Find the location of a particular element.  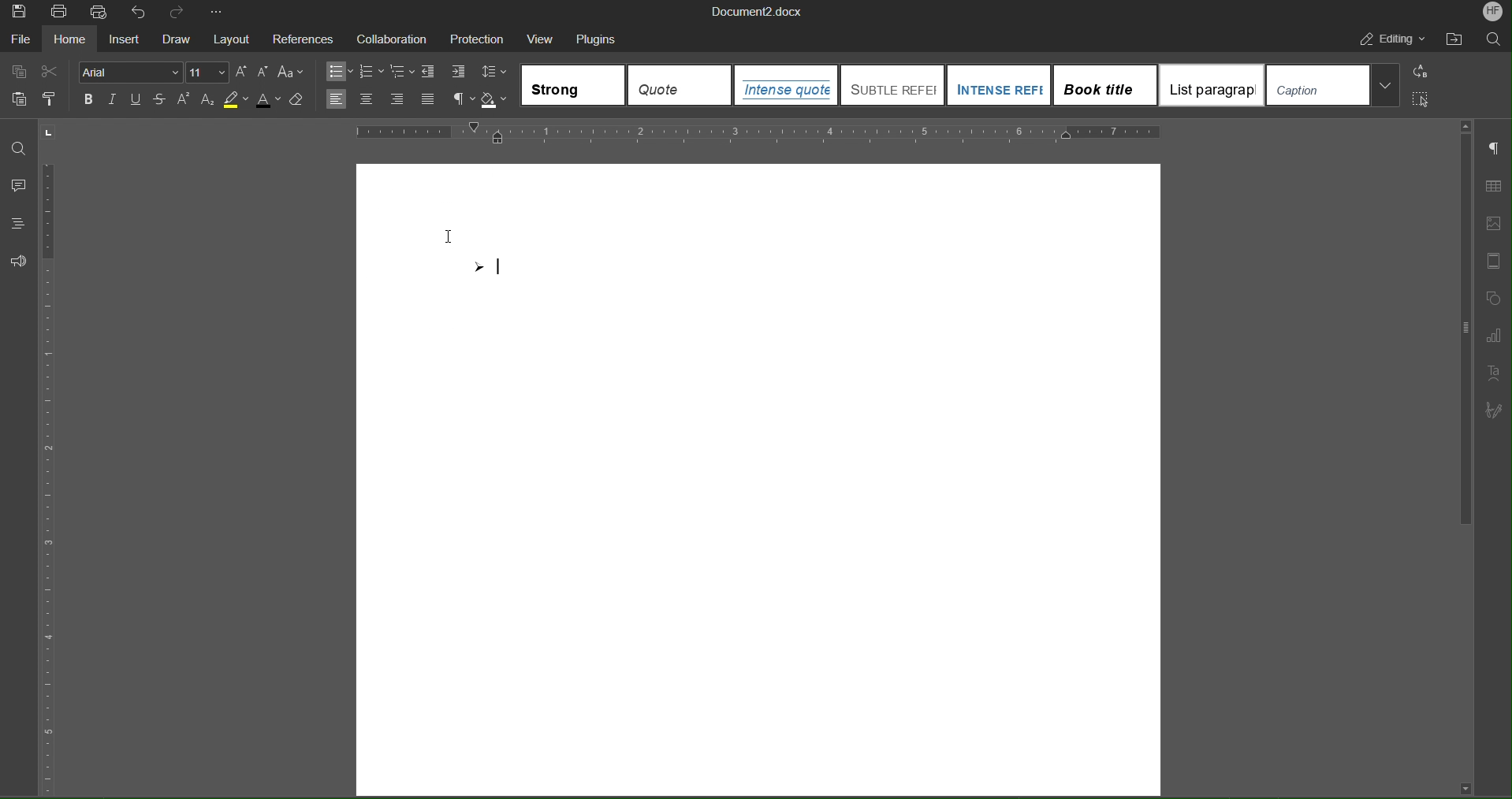

Line Spacing is located at coordinates (495, 68).